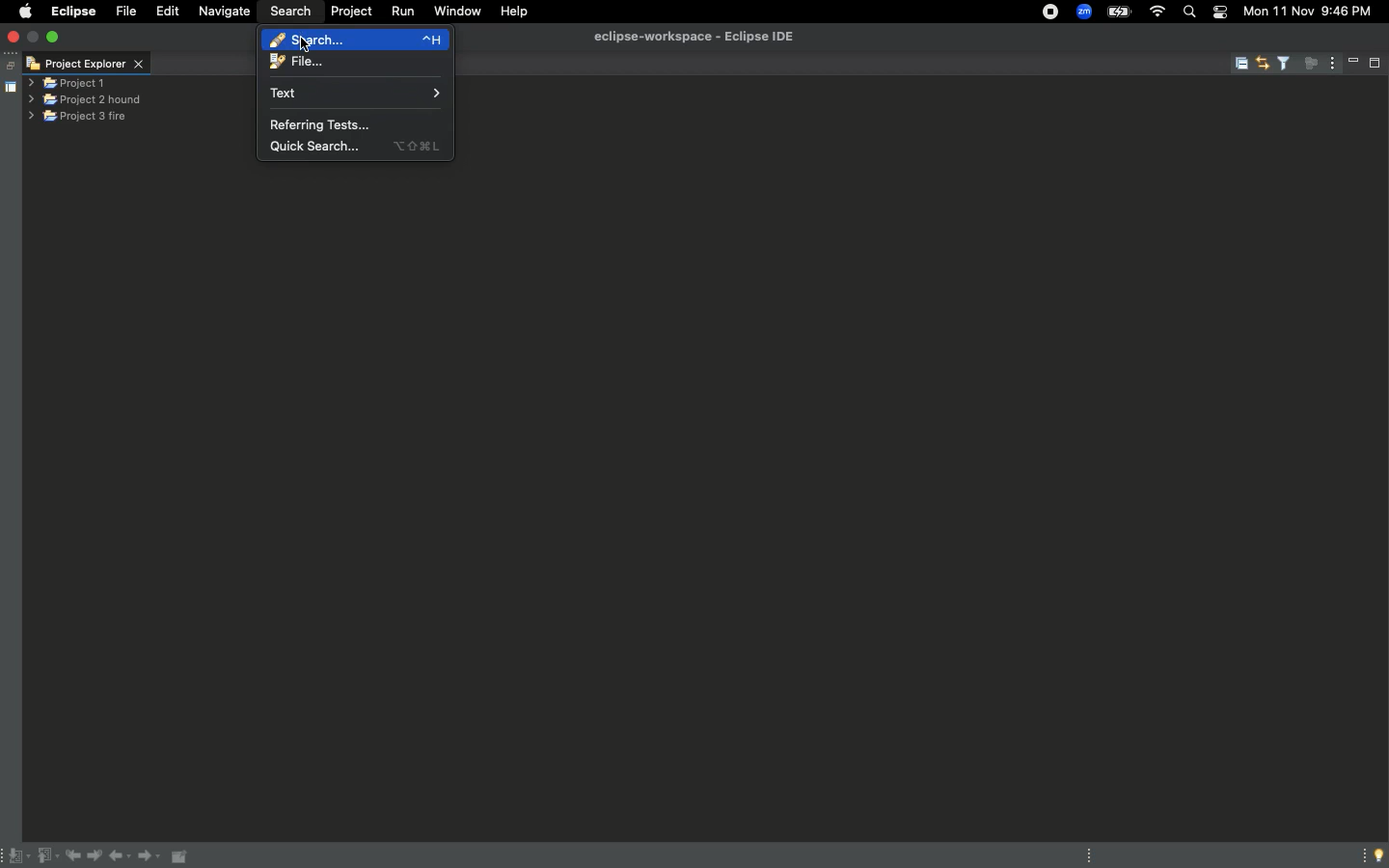 This screenshot has width=1389, height=868. I want to click on eclipse-workspce - Eclipse IDE, so click(709, 38).